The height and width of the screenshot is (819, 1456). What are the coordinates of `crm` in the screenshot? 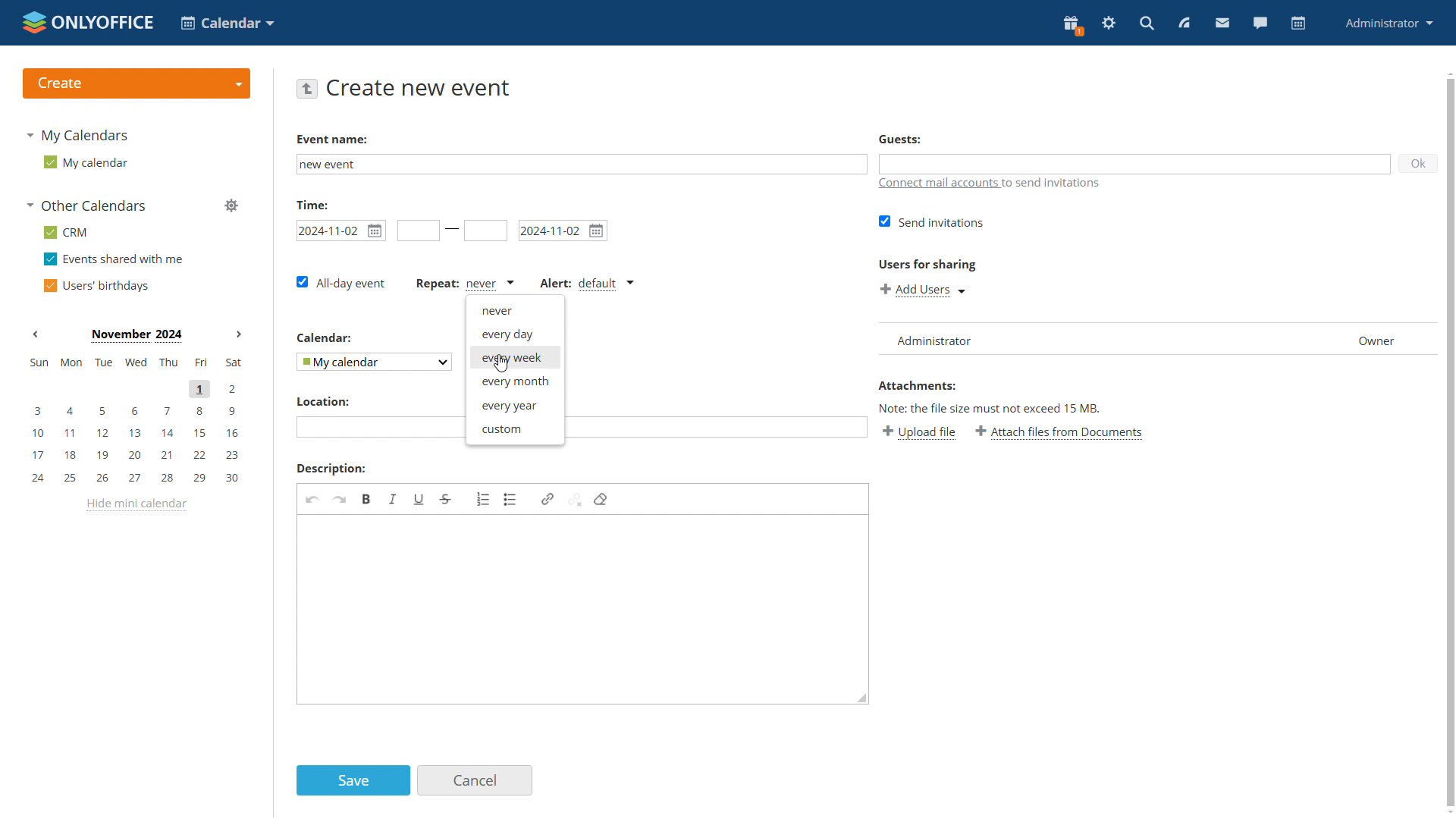 It's located at (67, 232).